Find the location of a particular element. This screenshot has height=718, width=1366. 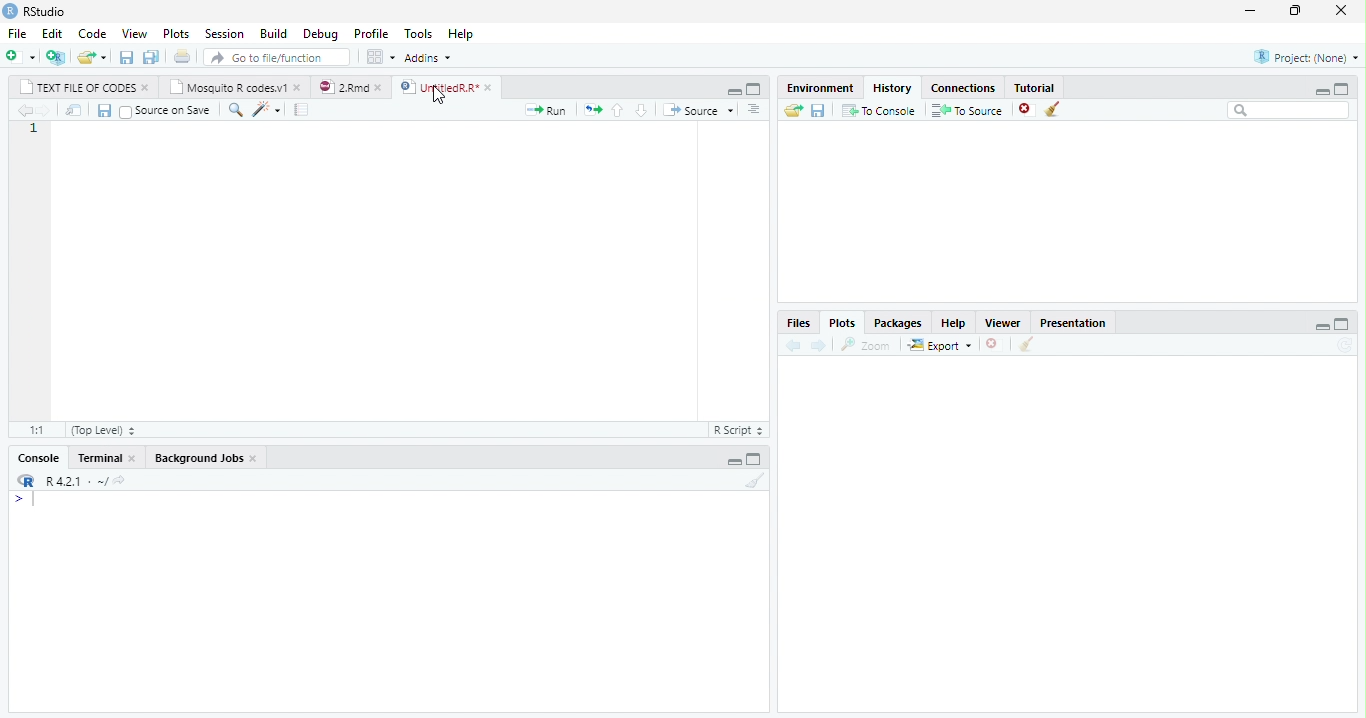

run is located at coordinates (549, 109).